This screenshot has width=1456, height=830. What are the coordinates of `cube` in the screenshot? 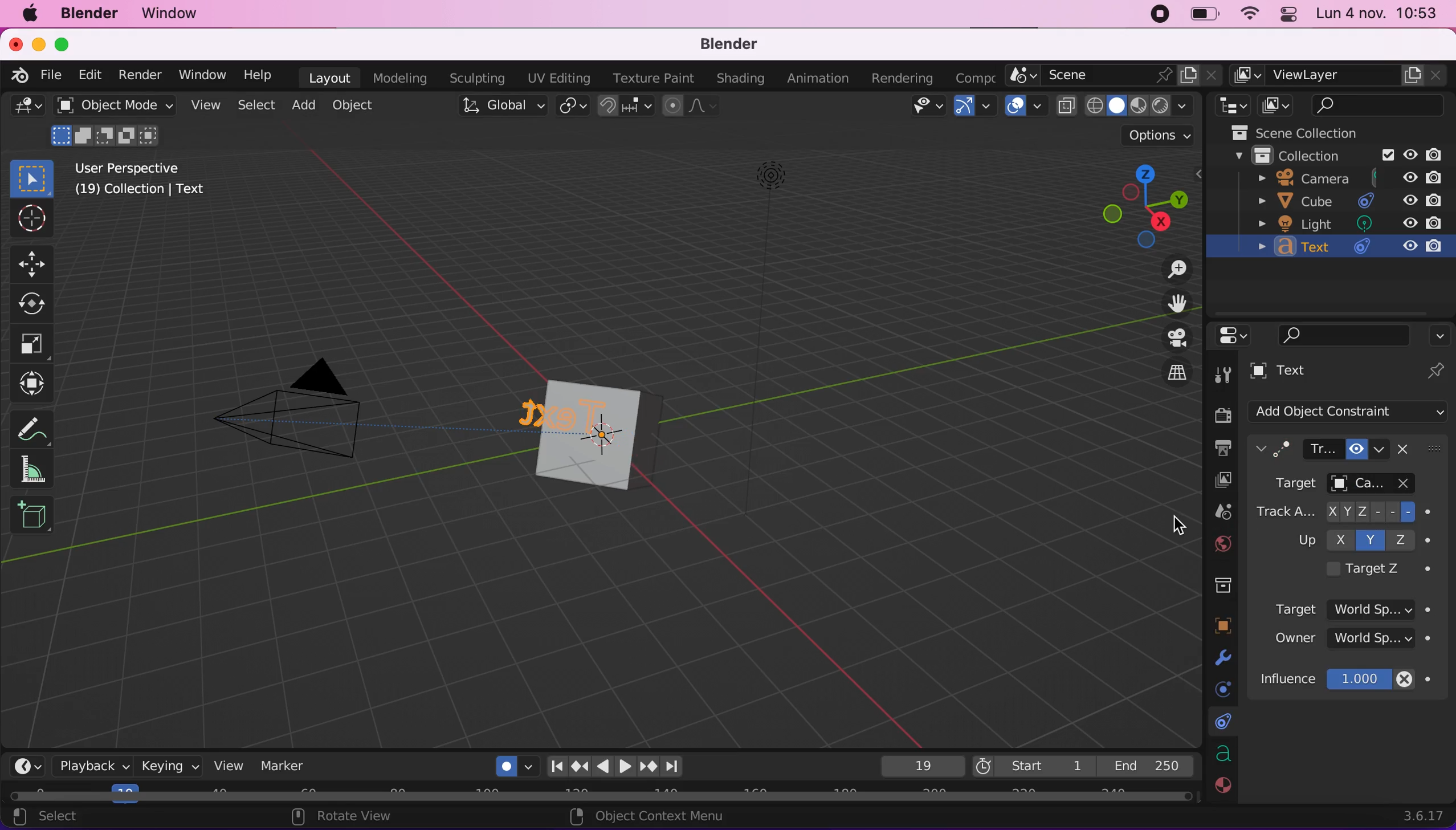 It's located at (586, 465).